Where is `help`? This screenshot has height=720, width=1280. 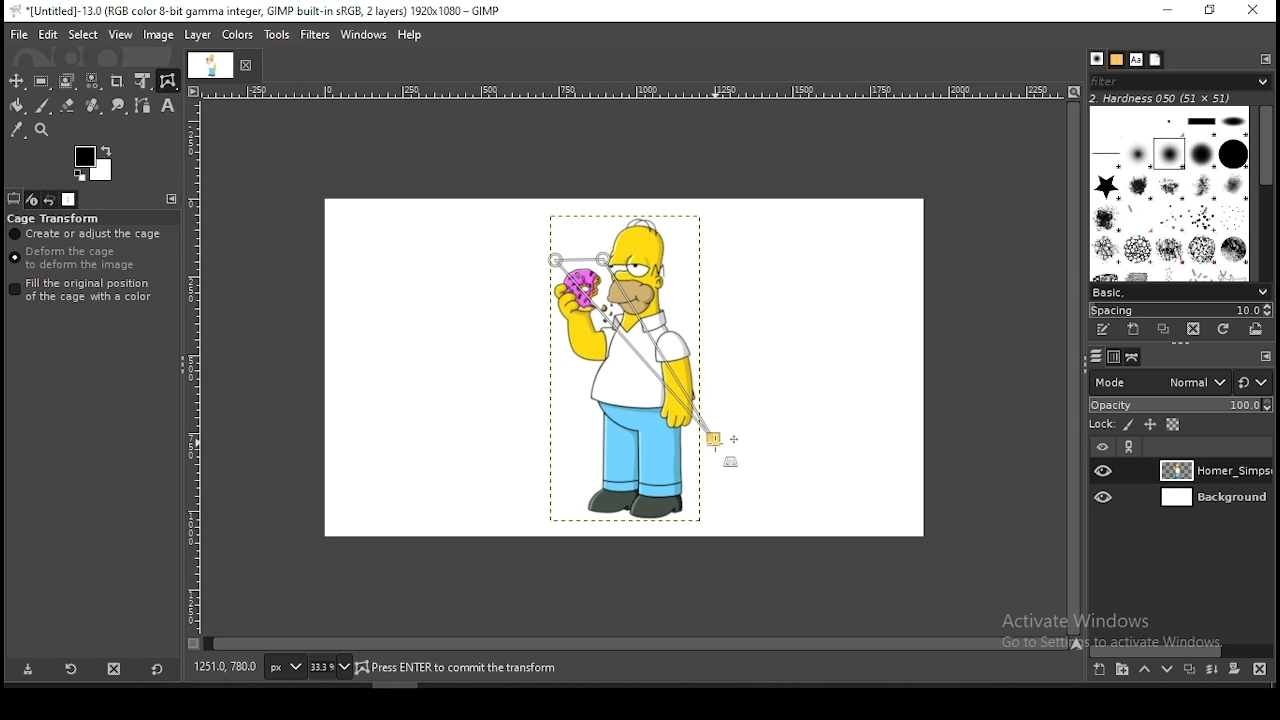
help is located at coordinates (410, 35).